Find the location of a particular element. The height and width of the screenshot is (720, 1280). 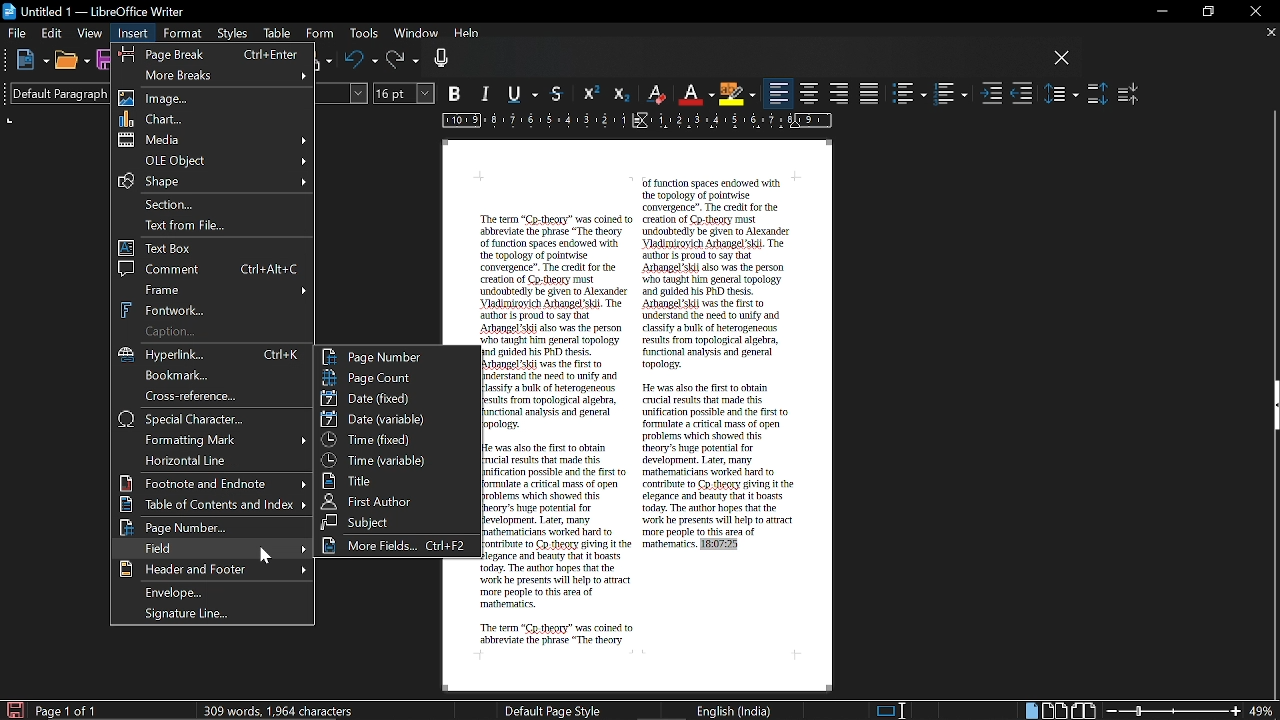

File is located at coordinates (17, 32).